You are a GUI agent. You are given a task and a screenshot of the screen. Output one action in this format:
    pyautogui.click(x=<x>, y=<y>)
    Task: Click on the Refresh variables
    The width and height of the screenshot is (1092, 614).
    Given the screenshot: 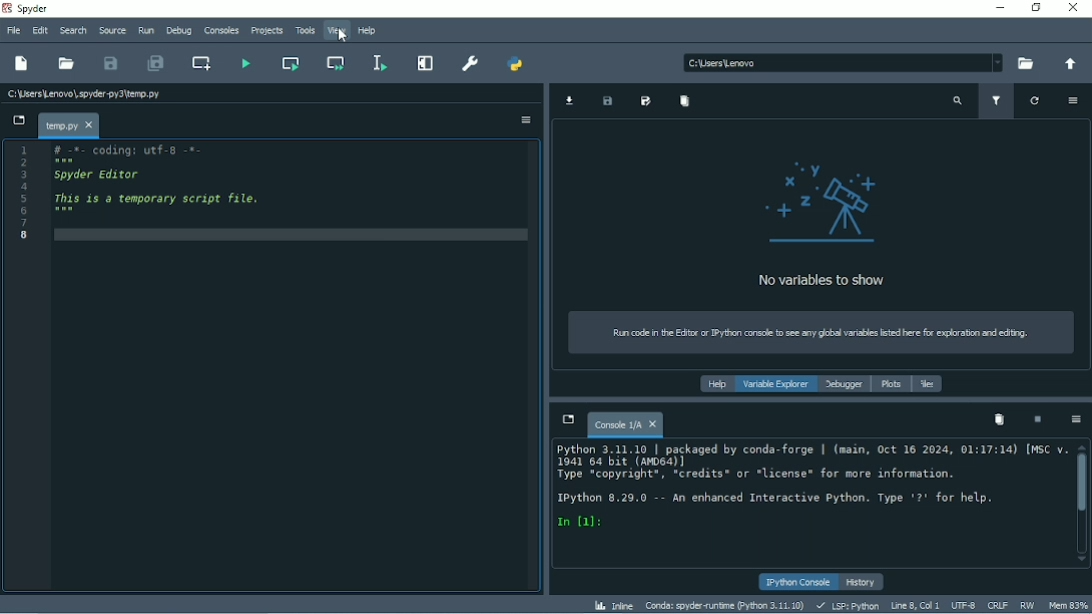 What is the action you would take?
    pyautogui.click(x=1035, y=101)
    